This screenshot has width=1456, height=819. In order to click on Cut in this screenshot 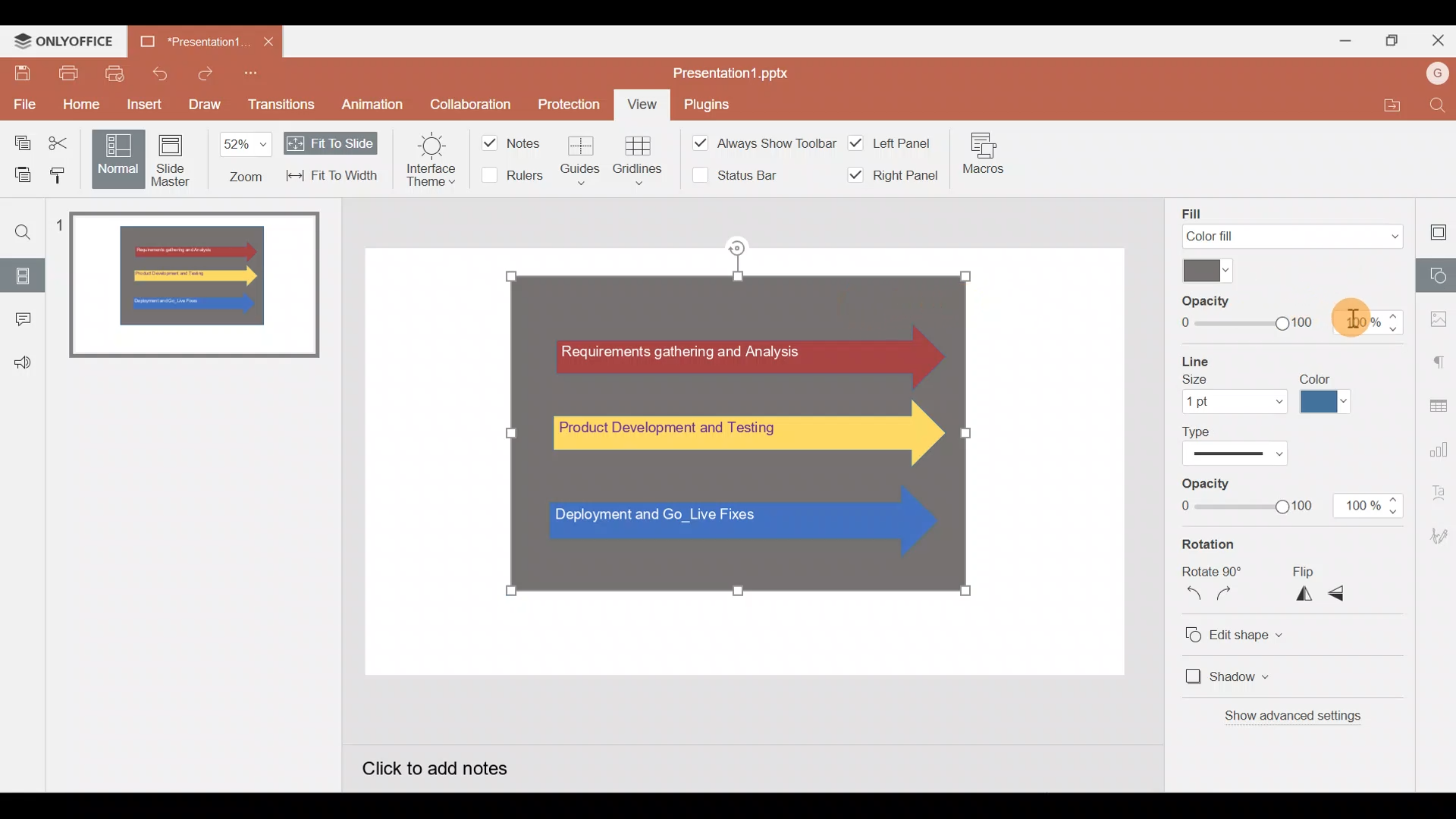, I will do `click(63, 141)`.